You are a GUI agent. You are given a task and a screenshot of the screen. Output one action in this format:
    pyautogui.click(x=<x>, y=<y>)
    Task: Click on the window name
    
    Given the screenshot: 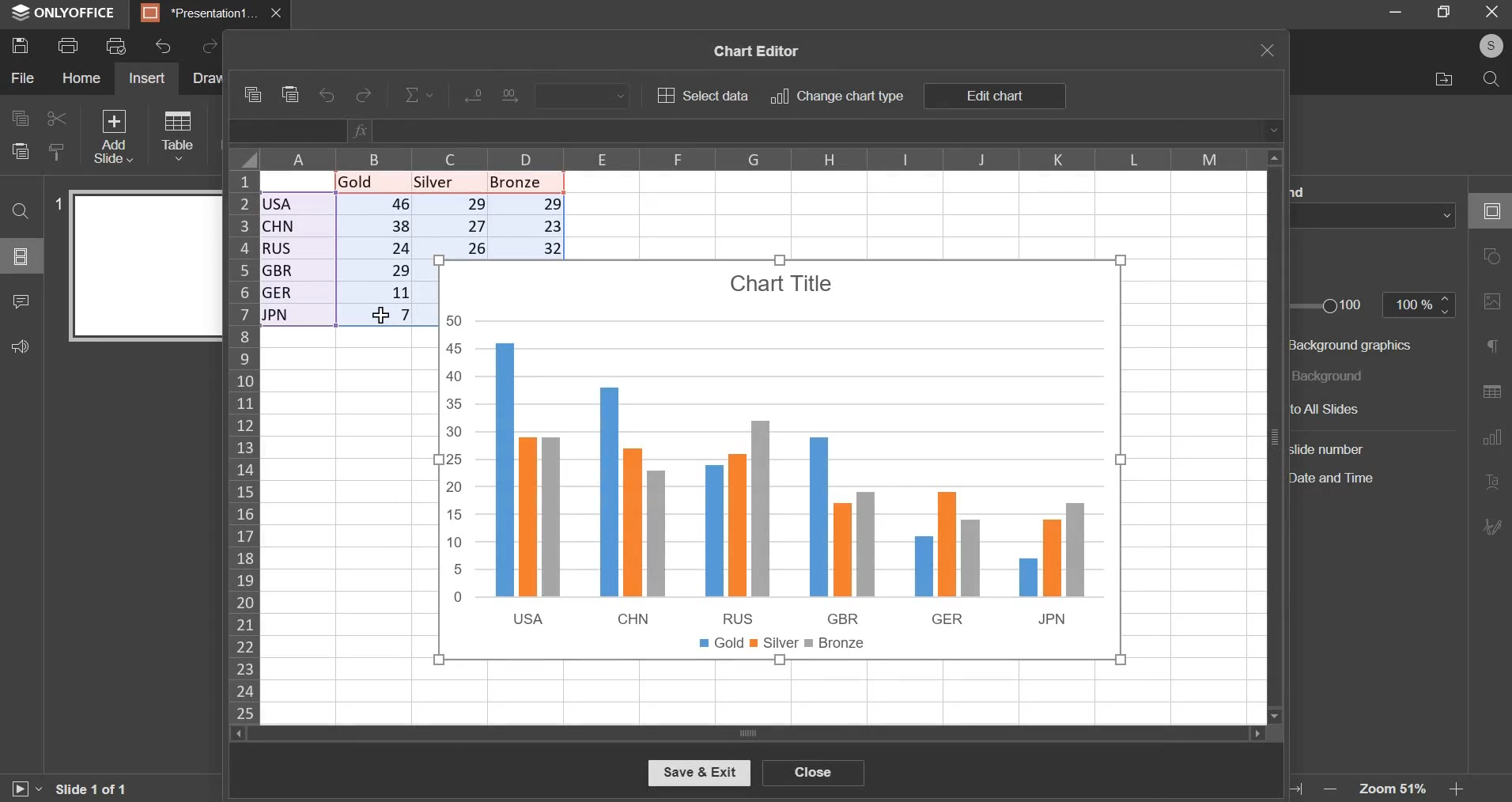 What is the action you would take?
    pyautogui.click(x=65, y=14)
    